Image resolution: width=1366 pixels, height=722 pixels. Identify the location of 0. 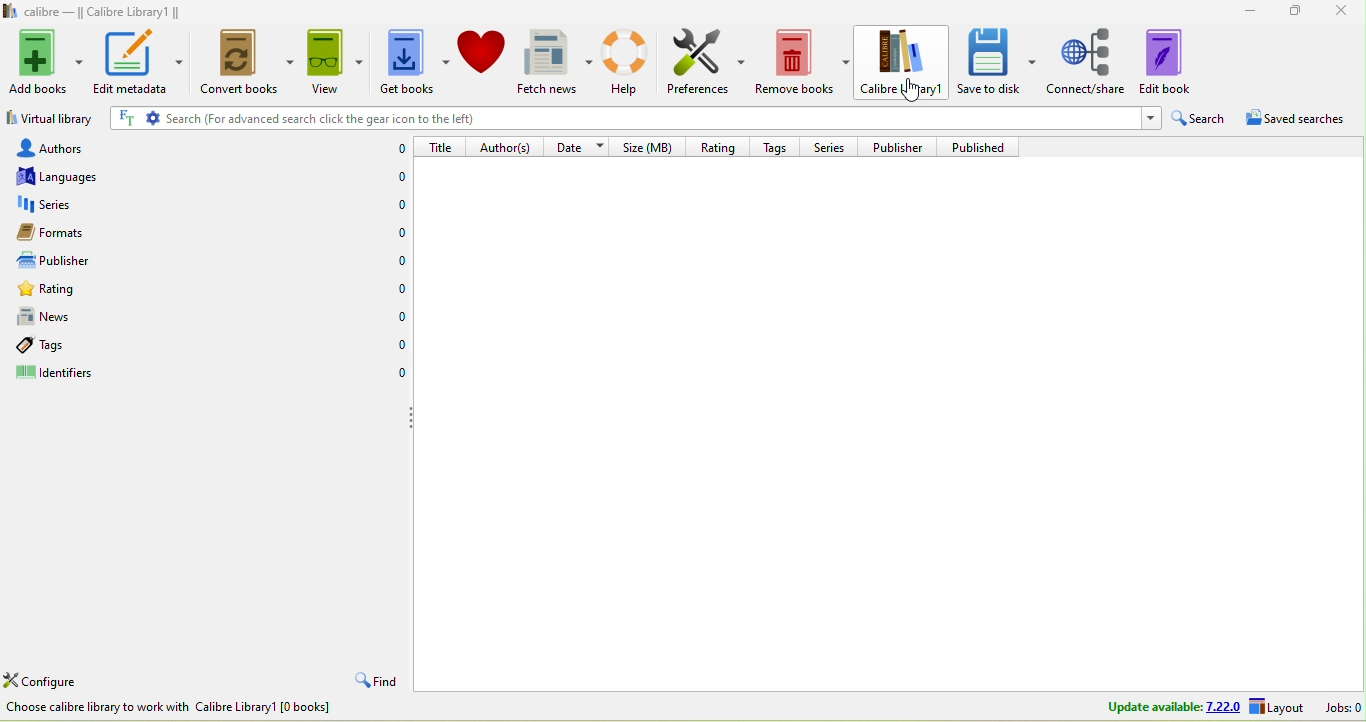
(397, 375).